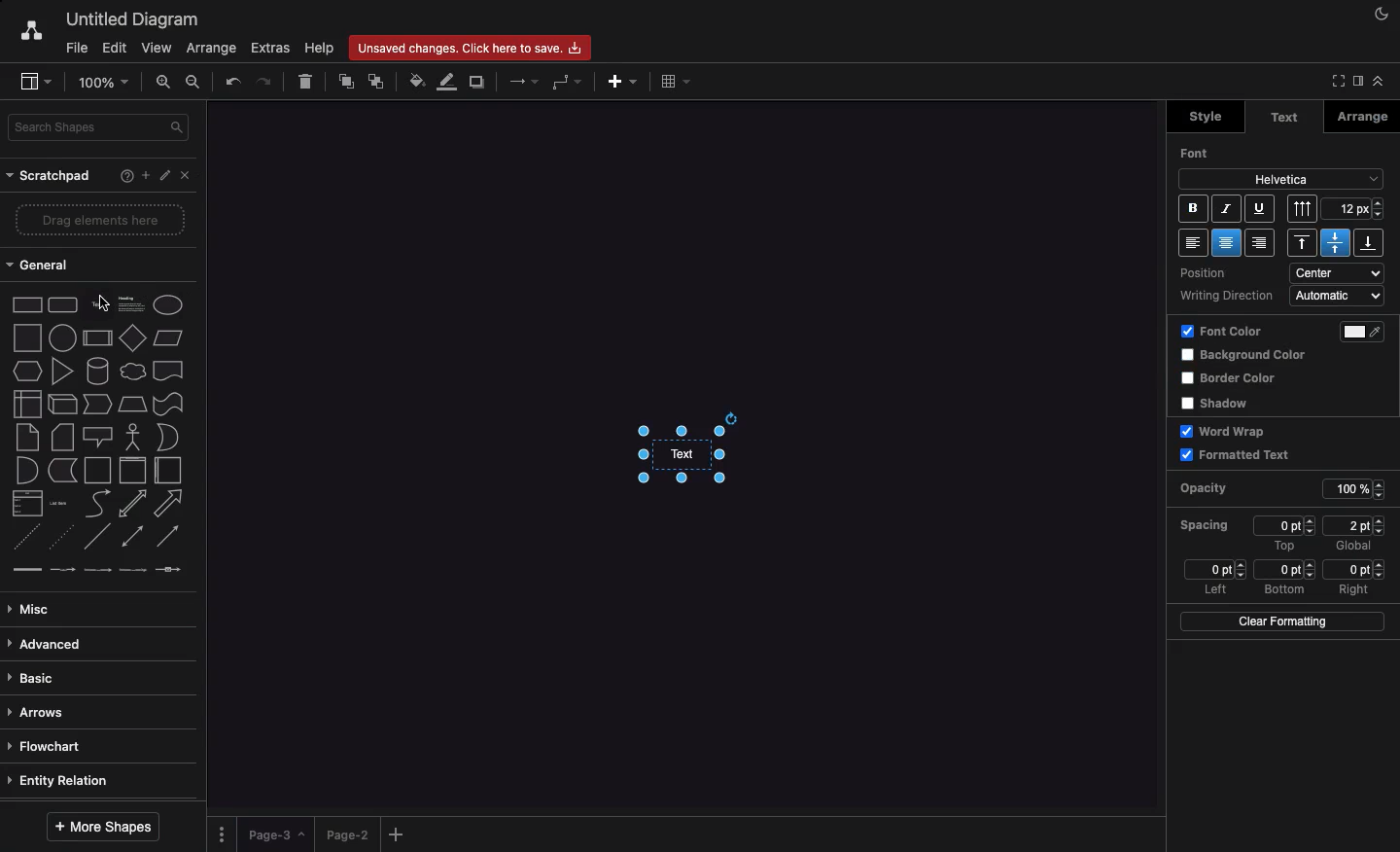 The width and height of the screenshot is (1400, 852). I want to click on Heading, so click(133, 302).